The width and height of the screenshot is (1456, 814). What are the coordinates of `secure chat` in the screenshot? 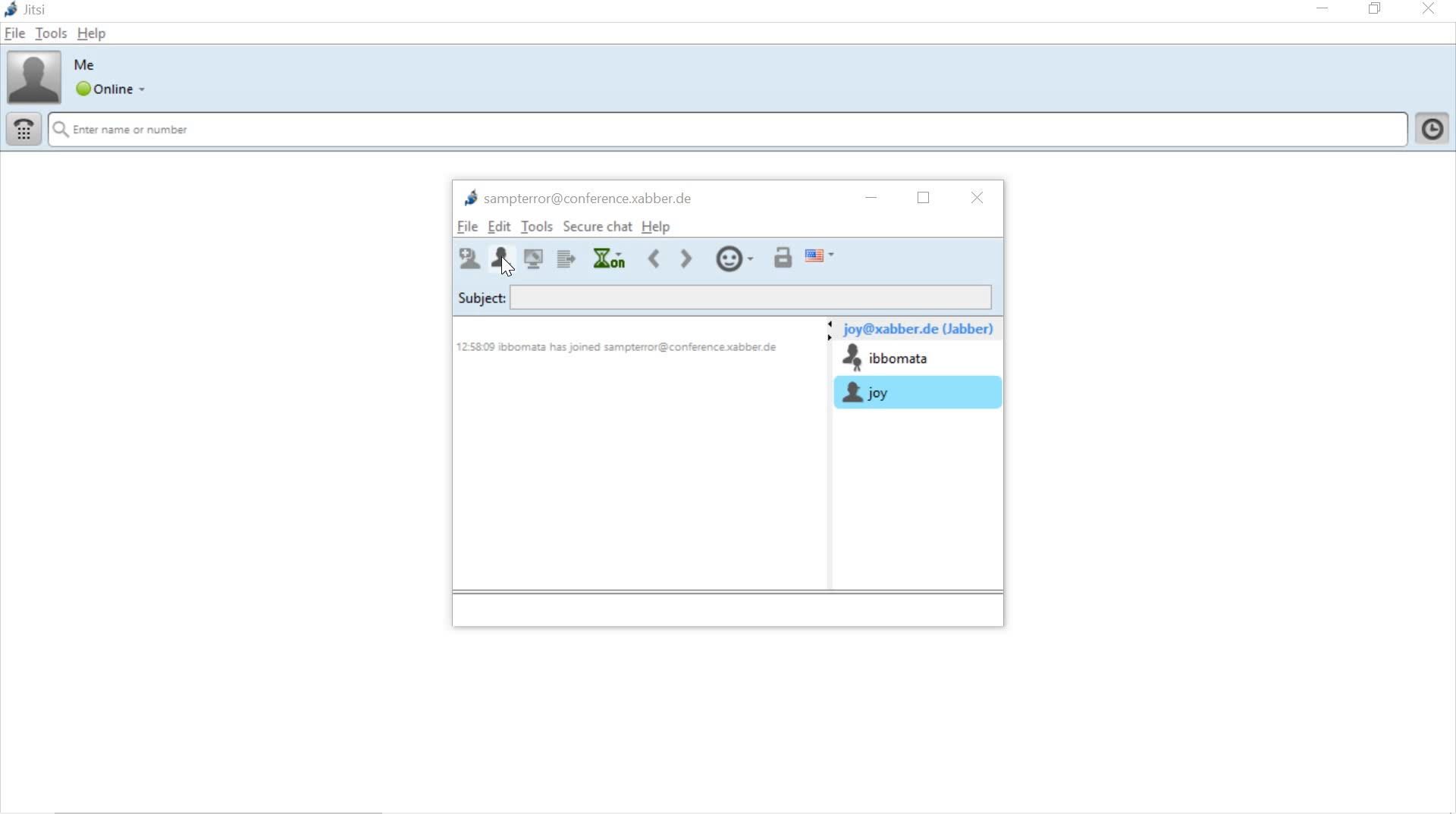 It's located at (599, 227).